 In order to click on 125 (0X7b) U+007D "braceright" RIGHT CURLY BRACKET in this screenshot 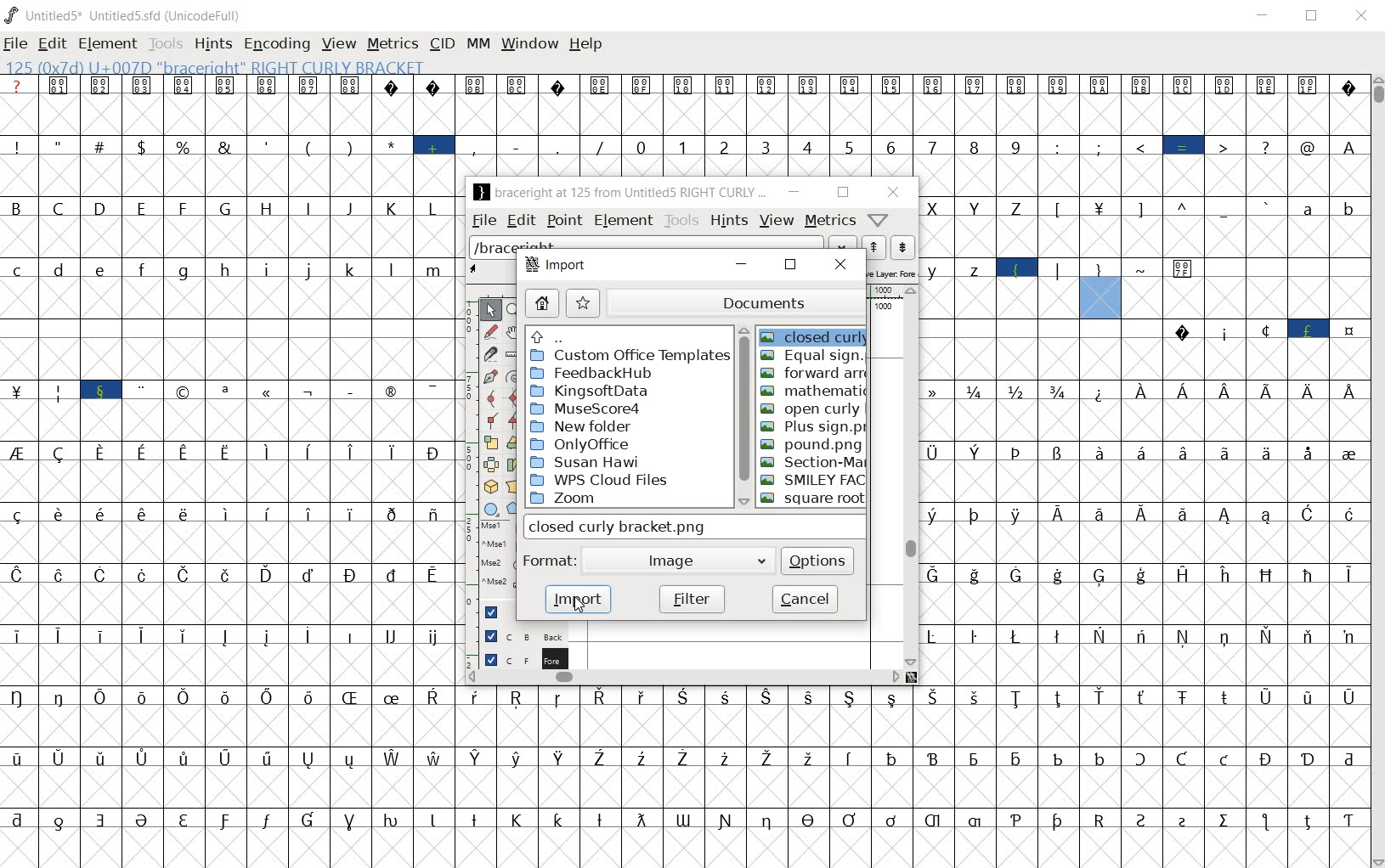, I will do `click(1102, 289)`.